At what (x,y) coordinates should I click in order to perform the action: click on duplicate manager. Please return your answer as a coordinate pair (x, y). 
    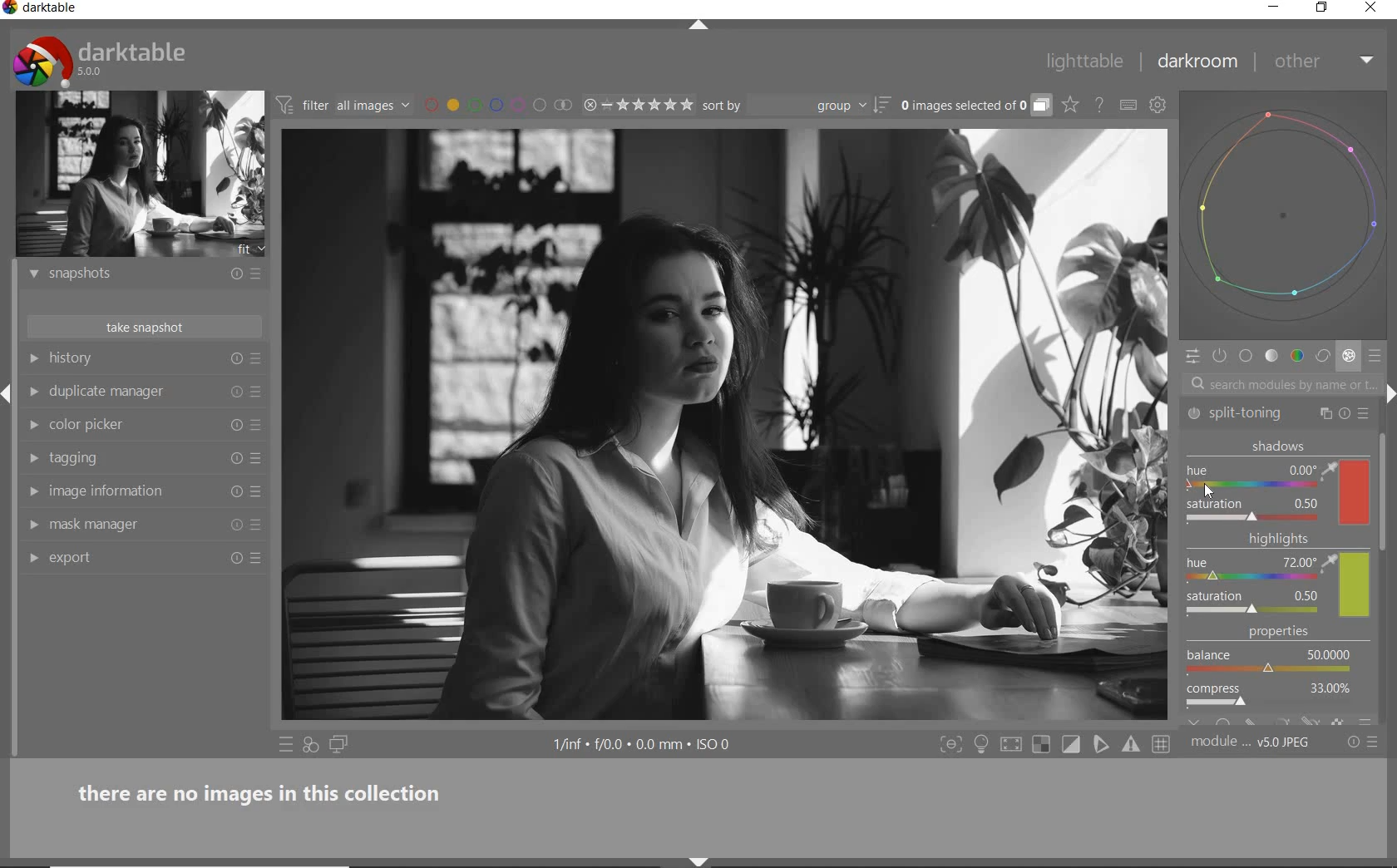
    Looking at the image, I should click on (133, 392).